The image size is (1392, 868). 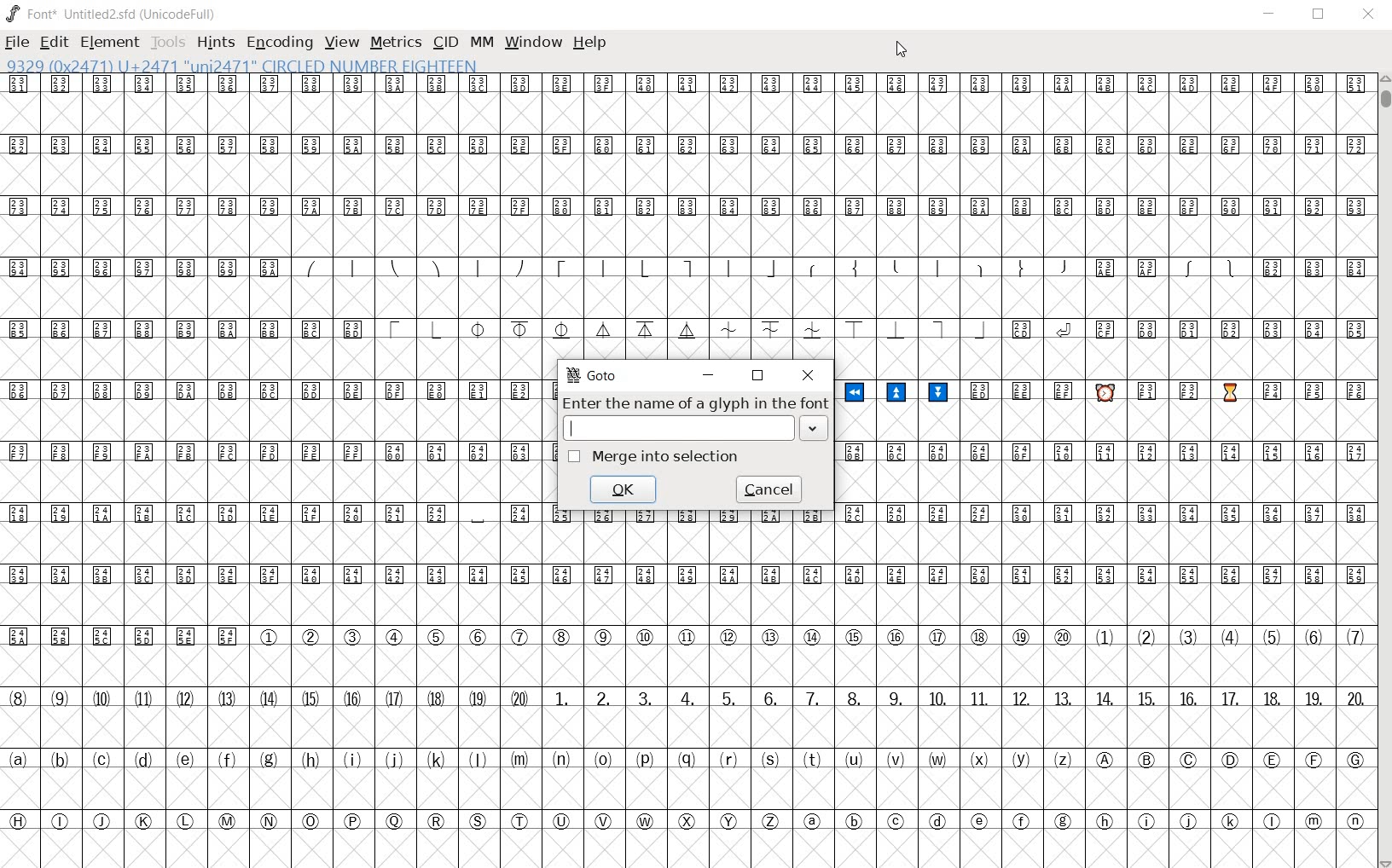 What do you see at coordinates (687, 429) in the screenshot?
I see `text box` at bounding box center [687, 429].